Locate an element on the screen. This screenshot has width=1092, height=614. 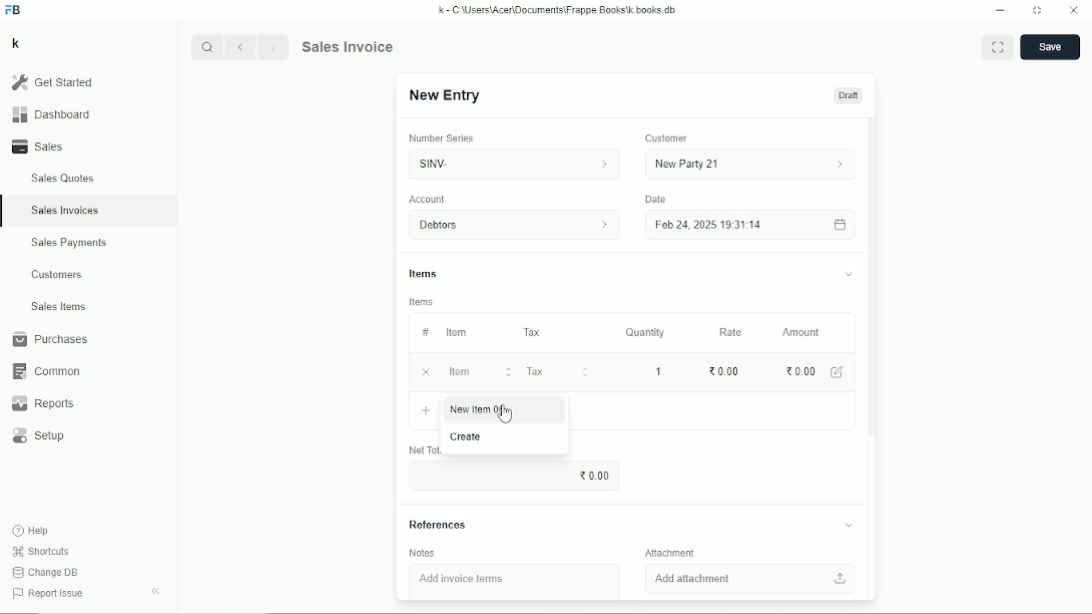
Item is located at coordinates (456, 332).